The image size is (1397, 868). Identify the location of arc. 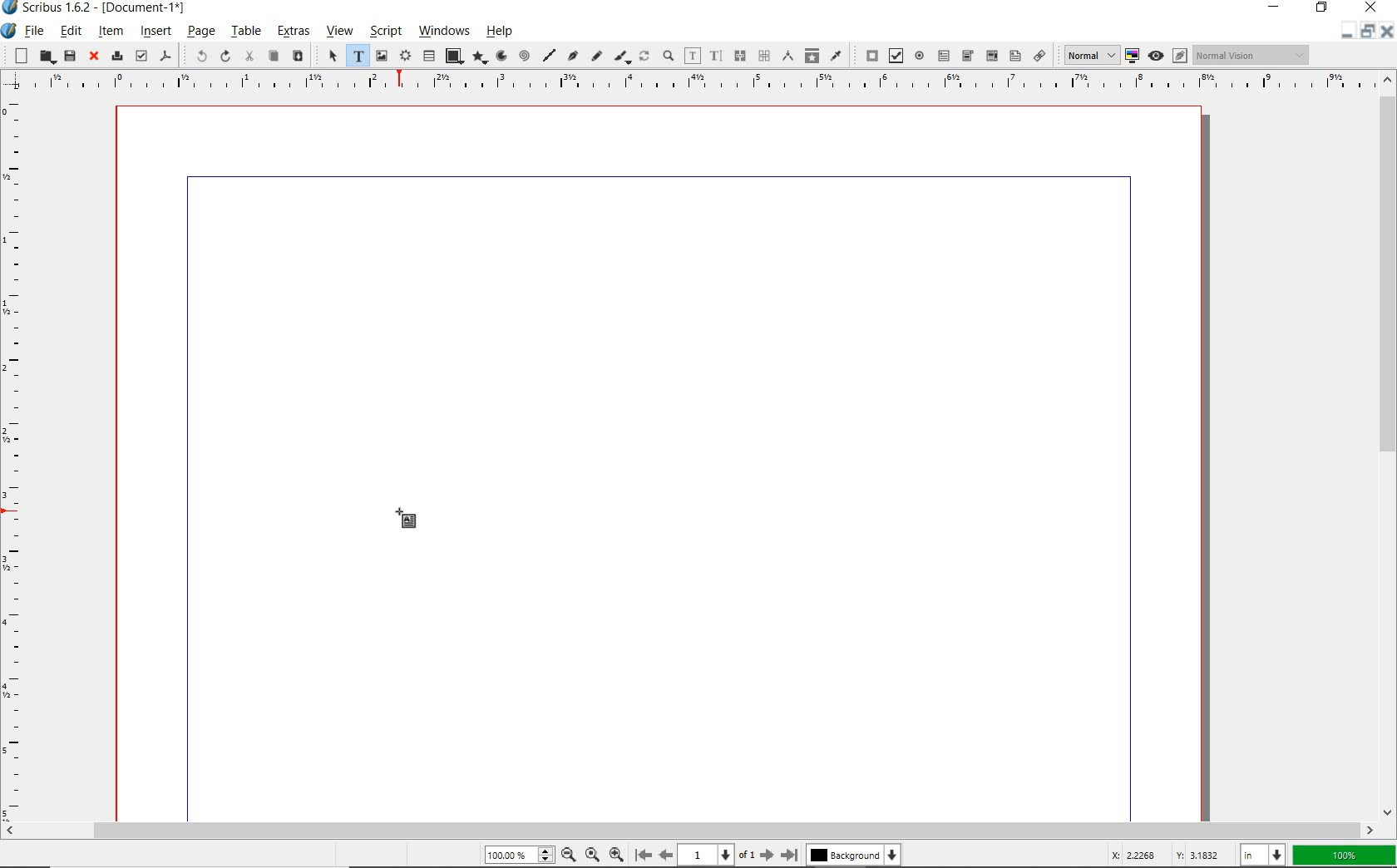
(500, 57).